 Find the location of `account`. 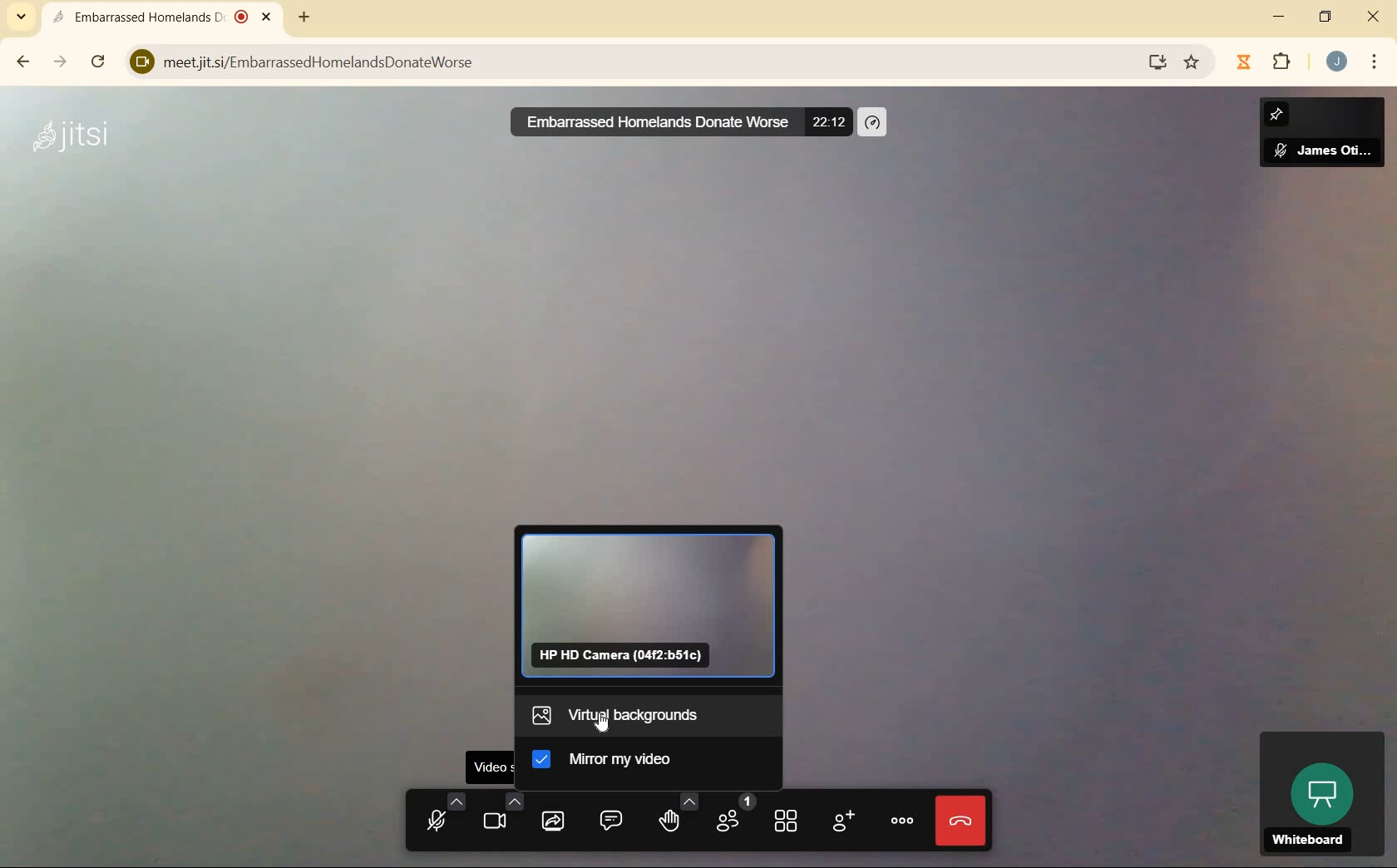

account is located at coordinates (1336, 61).